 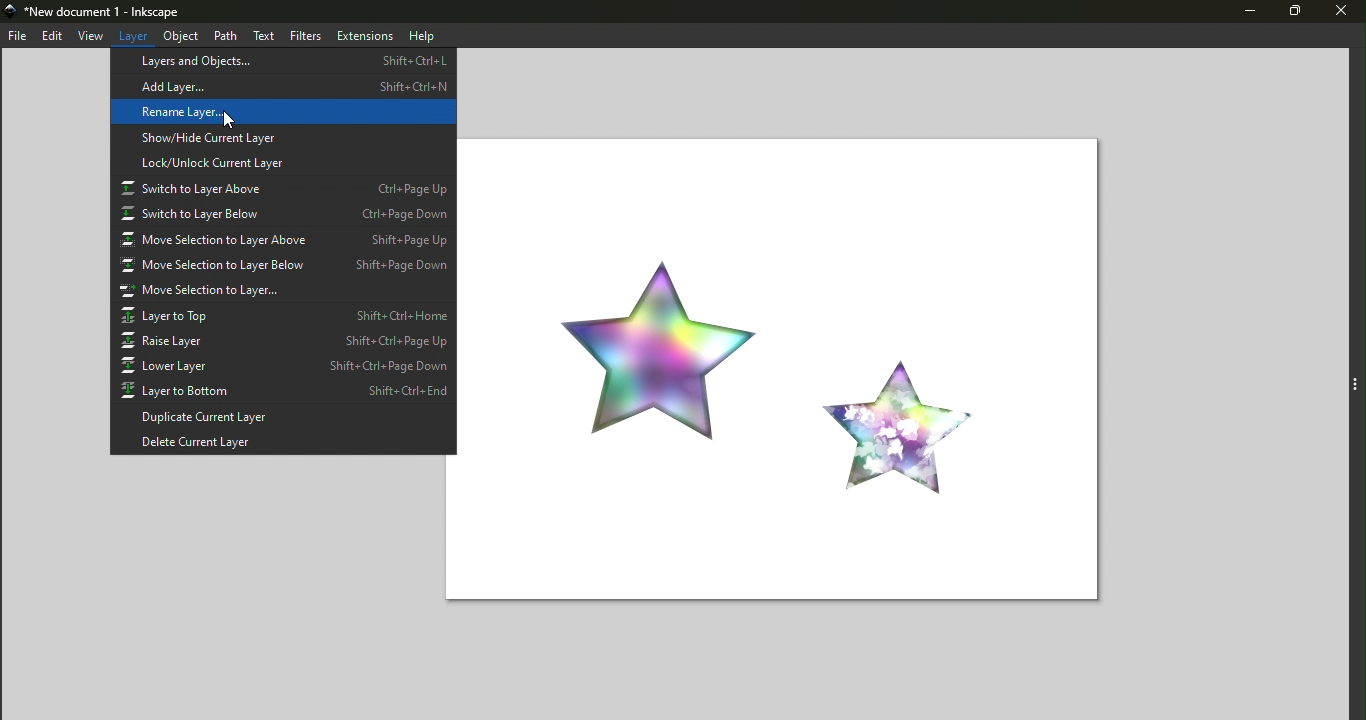 What do you see at coordinates (306, 35) in the screenshot?
I see `filters` at bounding box center [306, 35].